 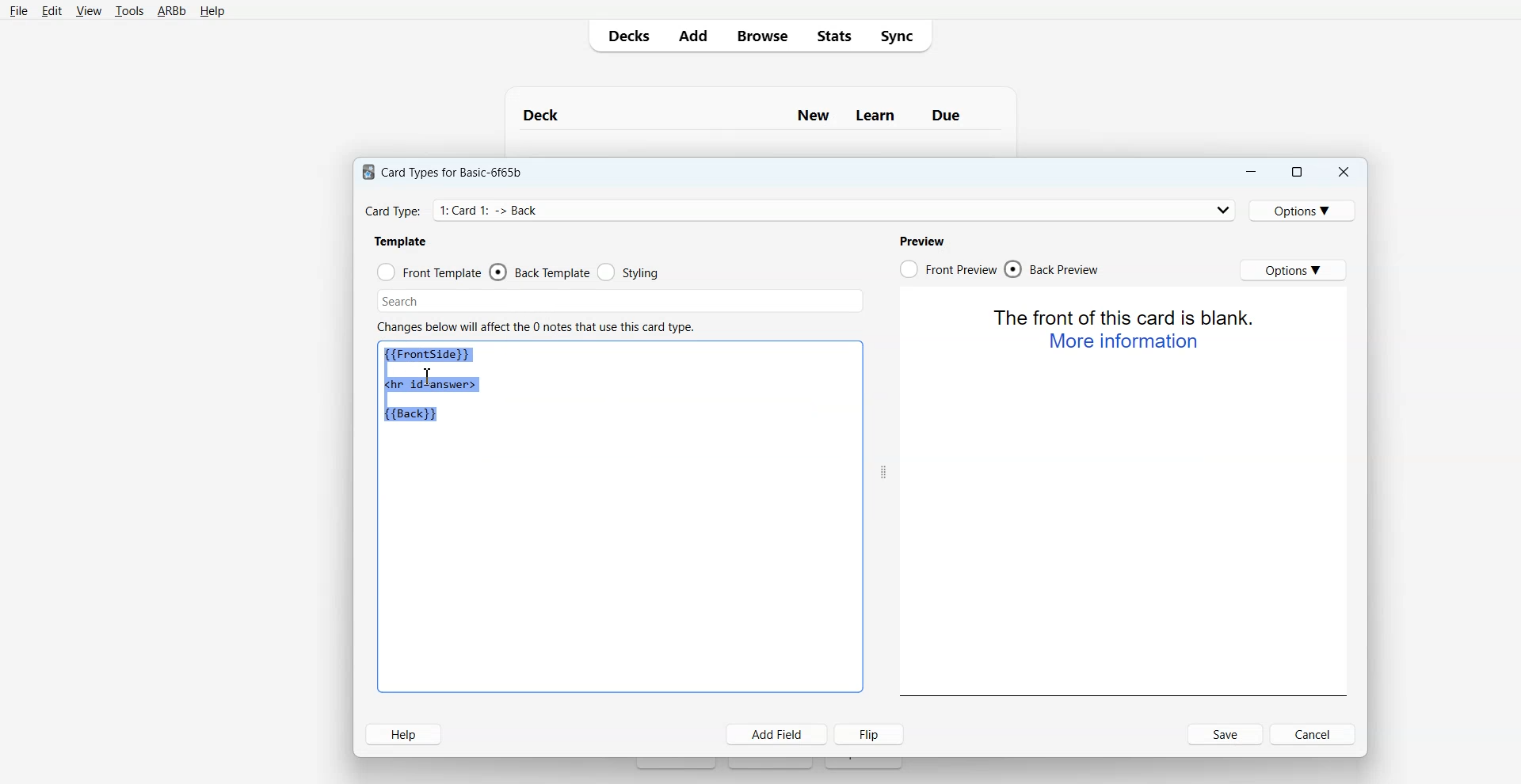 What do you see at coordinates (799, 209) in the screenshot?
I see `Card Type` at bounding box center [799, 209].